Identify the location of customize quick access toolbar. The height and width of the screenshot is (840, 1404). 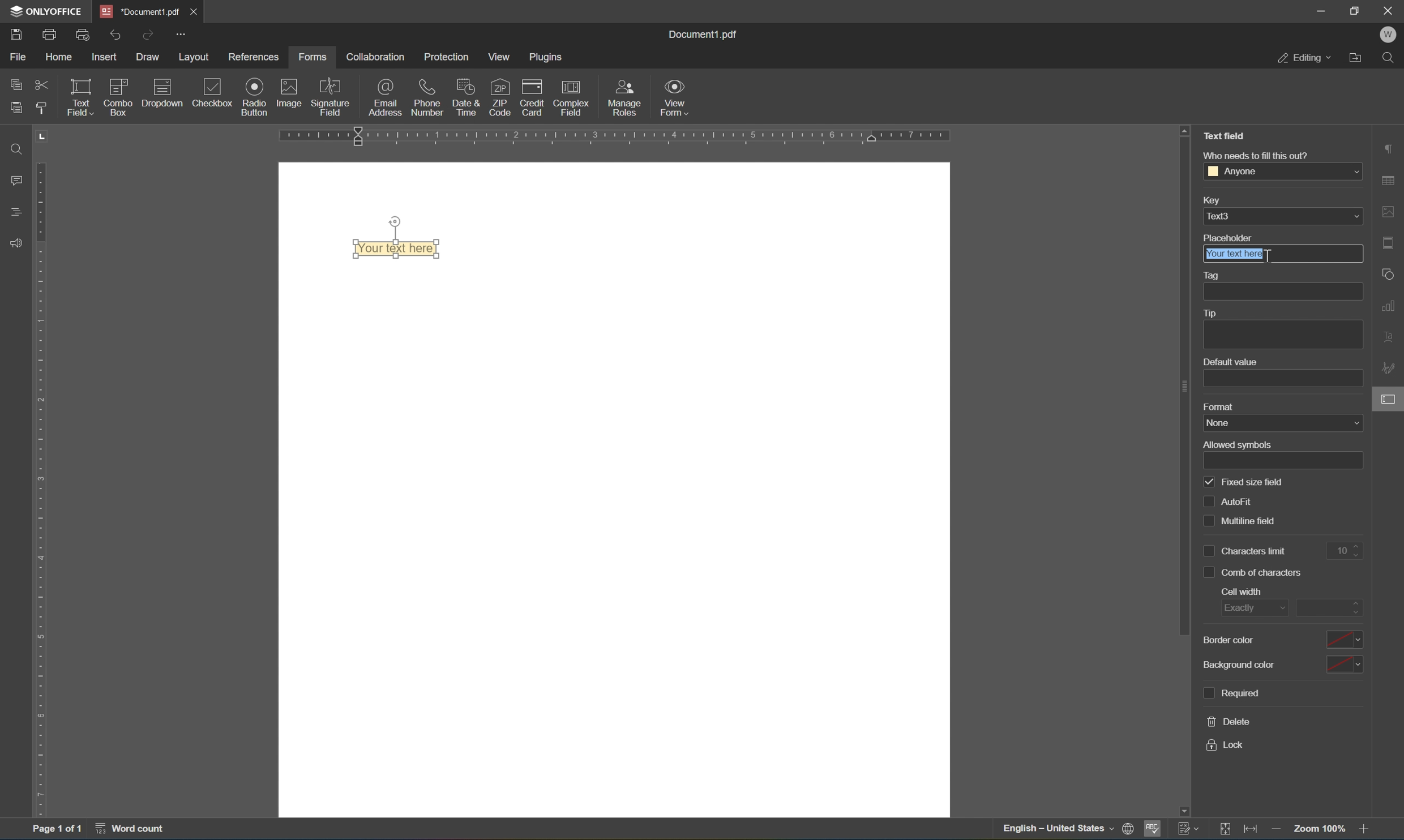
(182, 34).